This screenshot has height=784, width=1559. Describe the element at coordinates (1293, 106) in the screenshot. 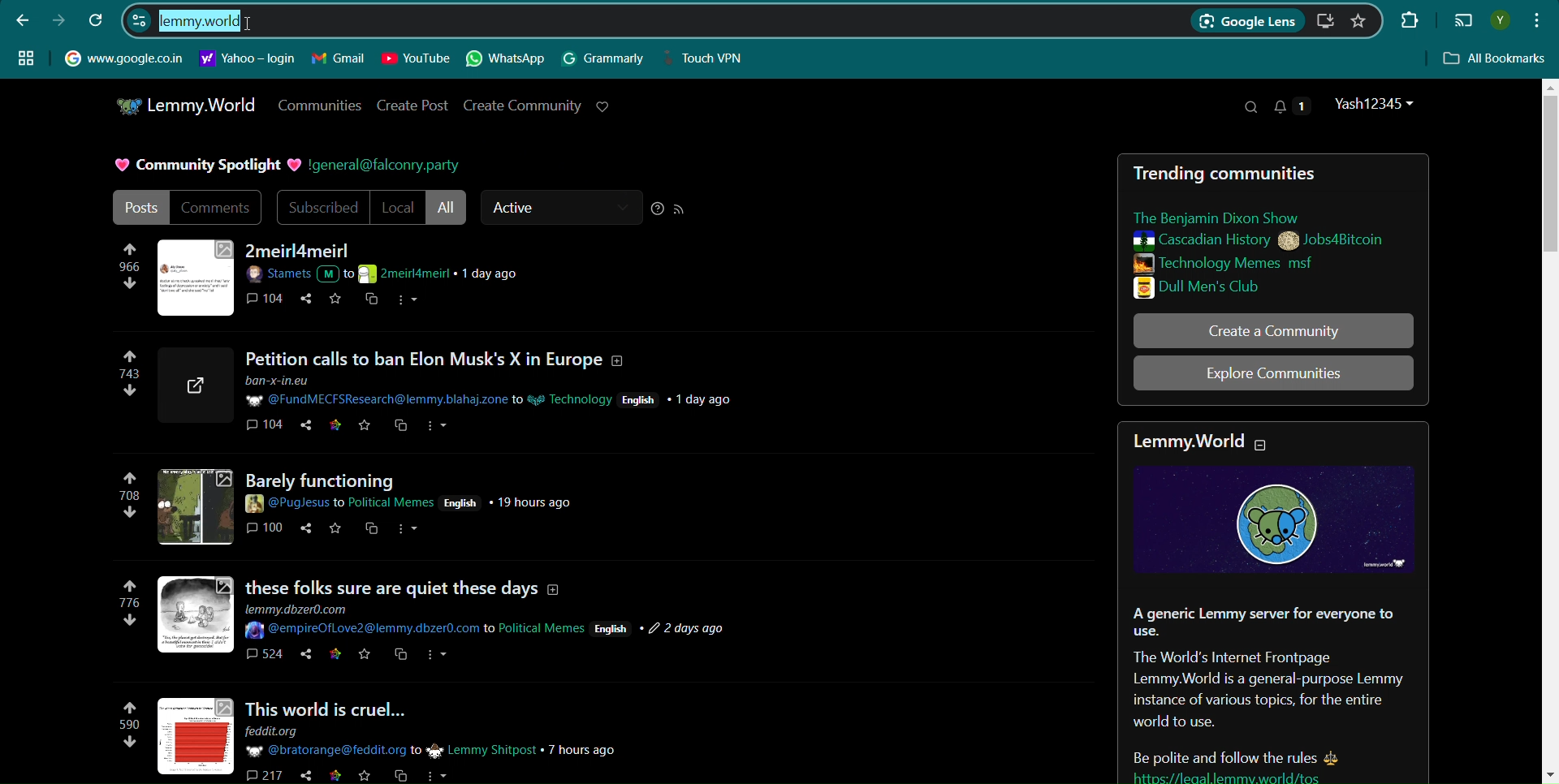

I see `Unread Messages` at that location.